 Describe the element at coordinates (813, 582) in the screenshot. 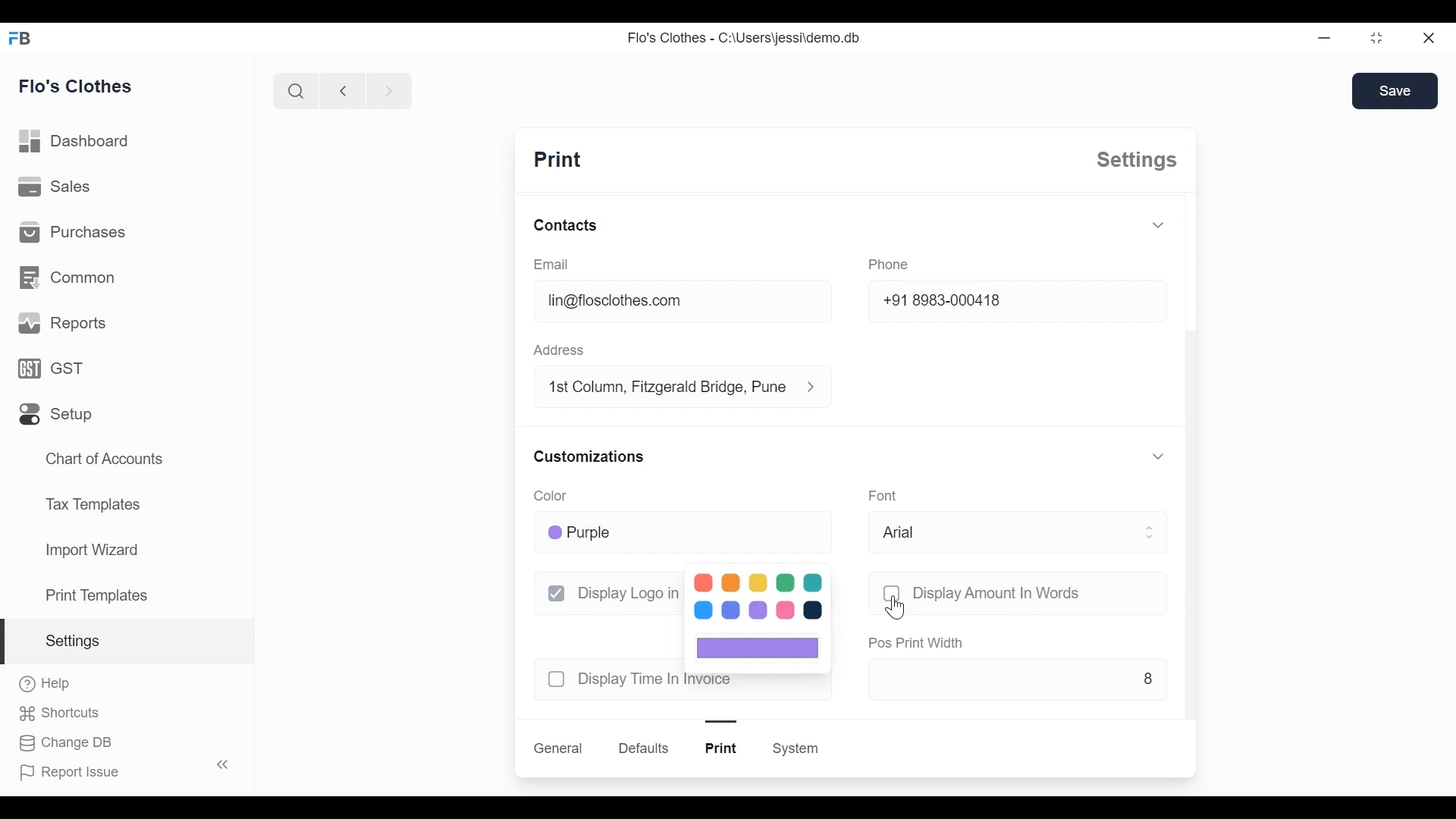

I see `color 5` at that location.